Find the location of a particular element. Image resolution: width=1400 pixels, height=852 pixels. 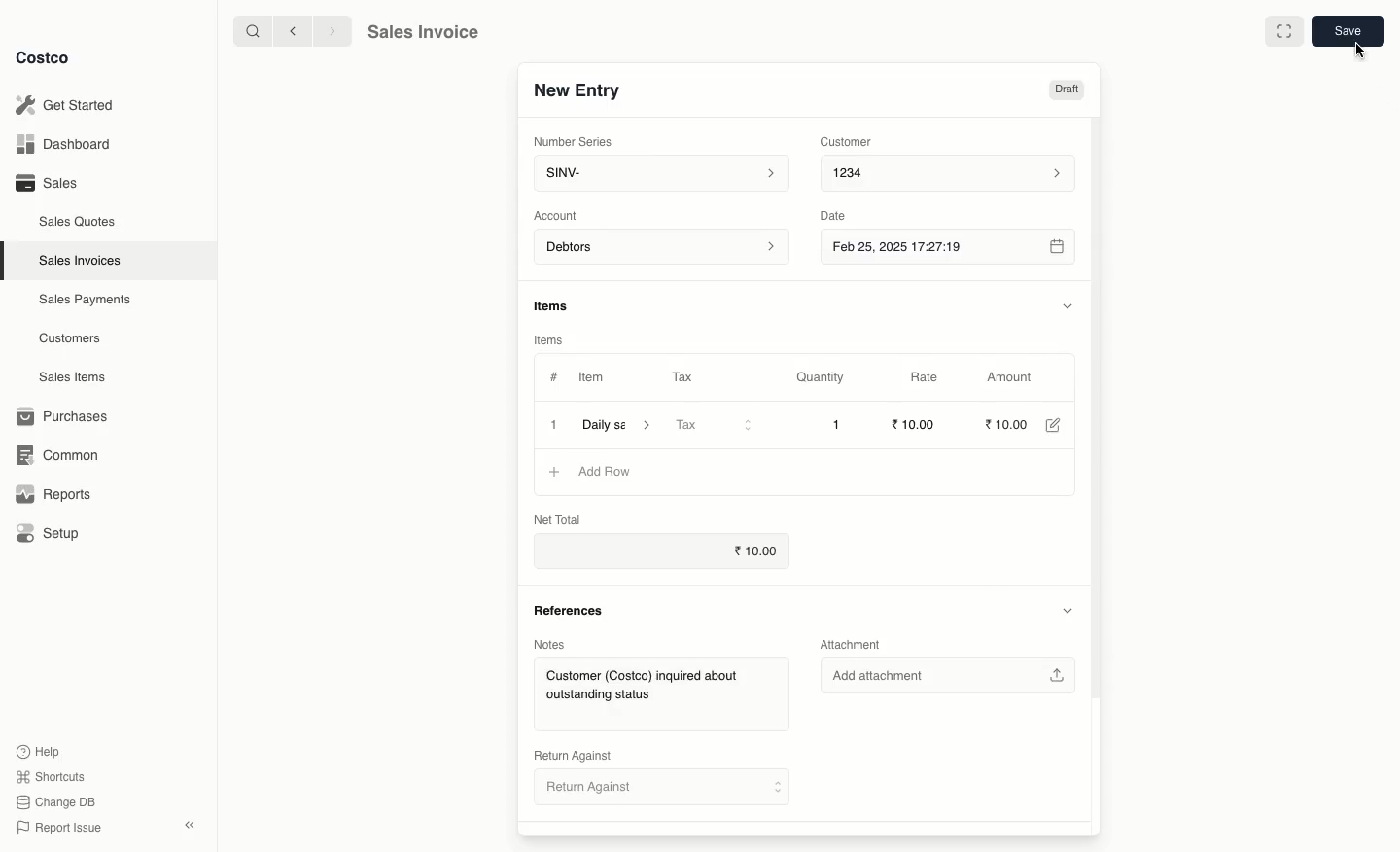

Tax is located at coordinates (715, 425).